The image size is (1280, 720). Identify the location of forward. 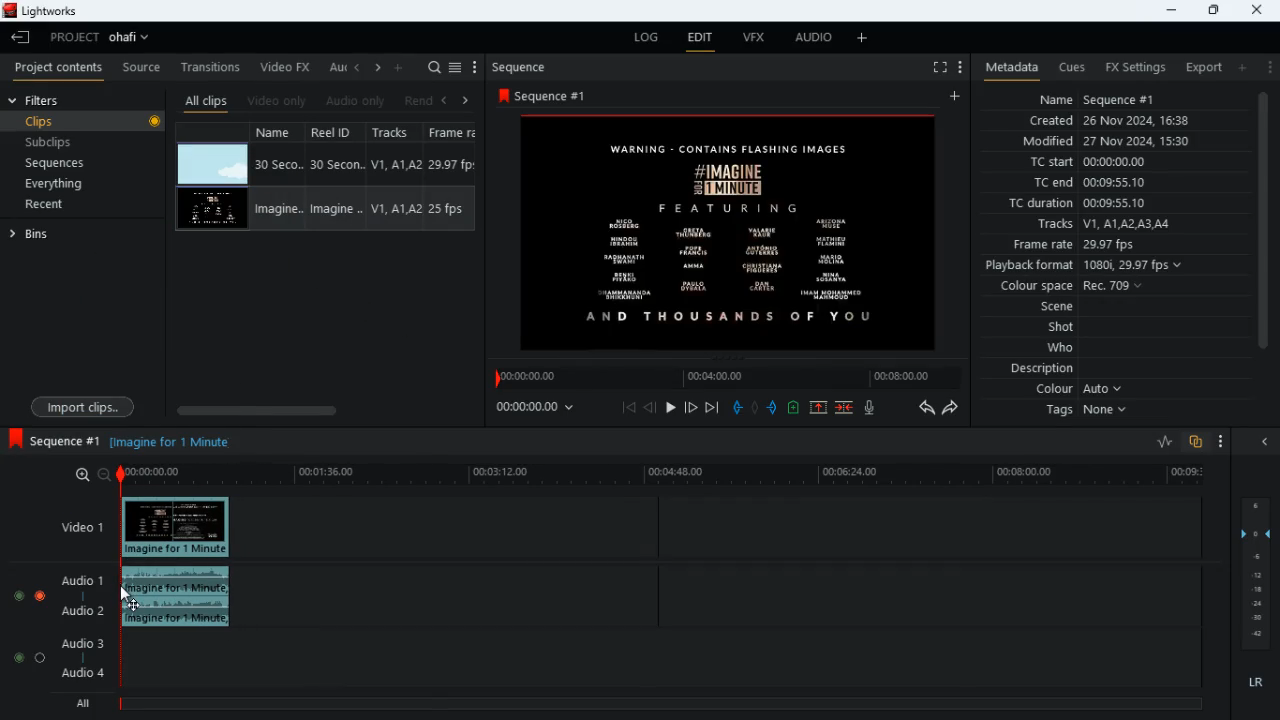
(952, 409).